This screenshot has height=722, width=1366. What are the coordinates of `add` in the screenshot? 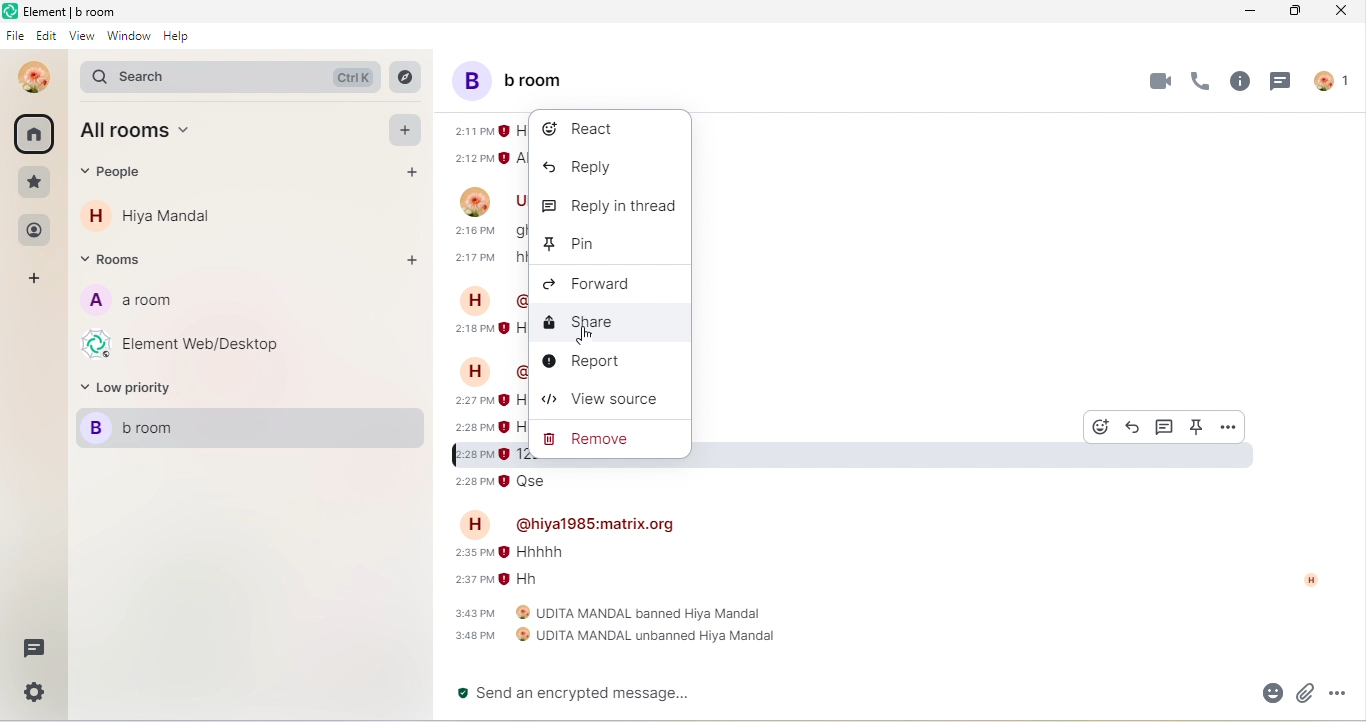 It's located at (406, 132).